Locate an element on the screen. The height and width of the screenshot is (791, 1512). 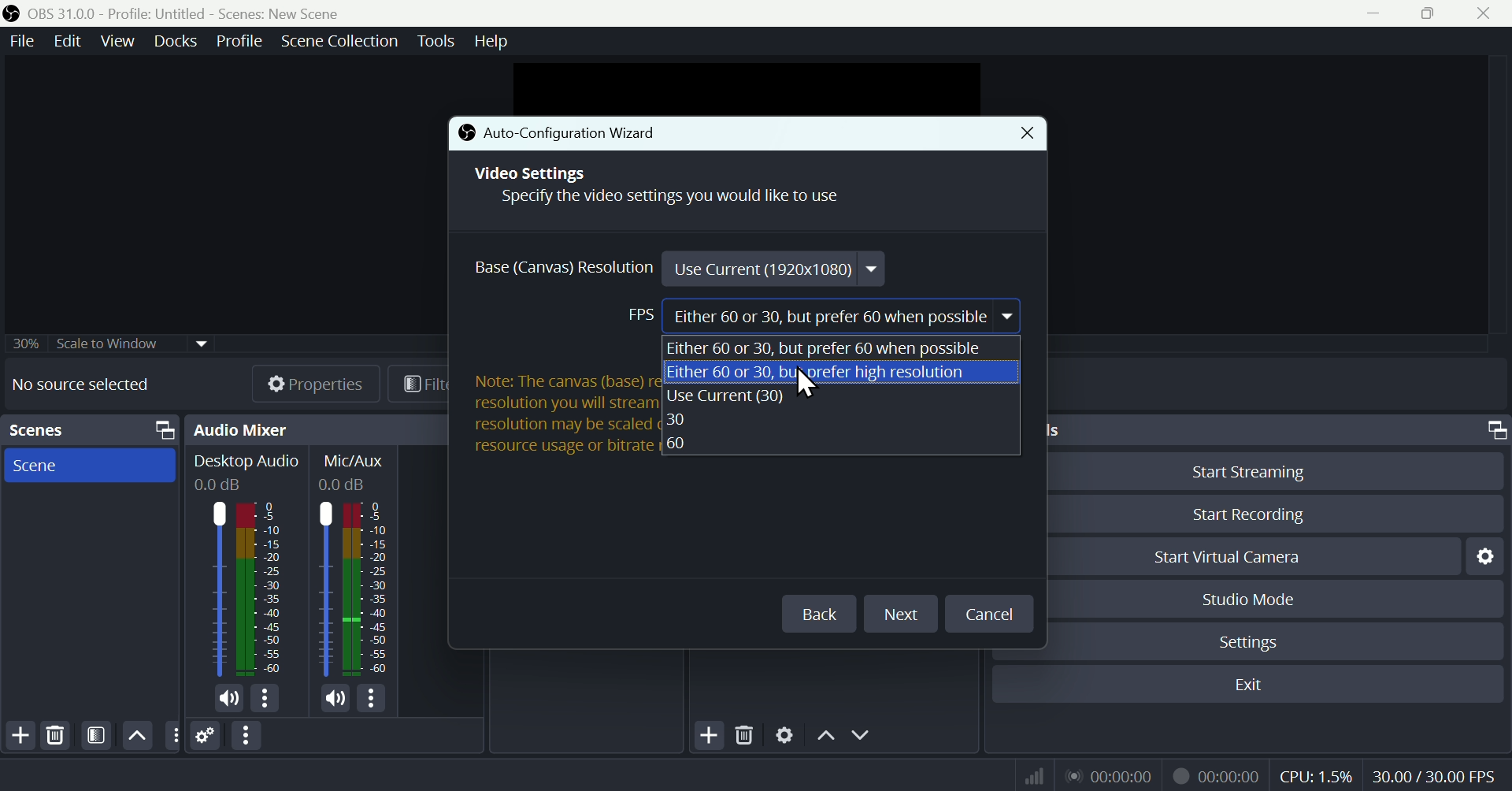
Back is located at coordinates (818, 614).